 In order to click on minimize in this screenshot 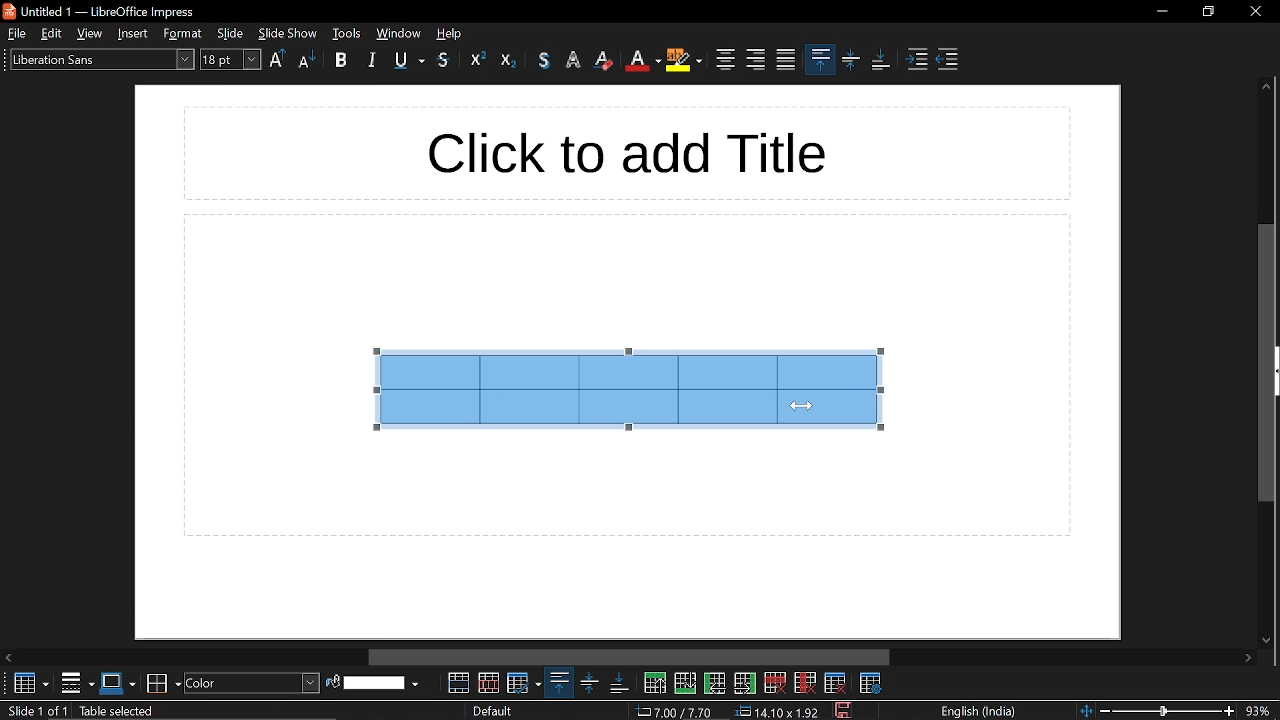, I will do `click(1162, 12)`.